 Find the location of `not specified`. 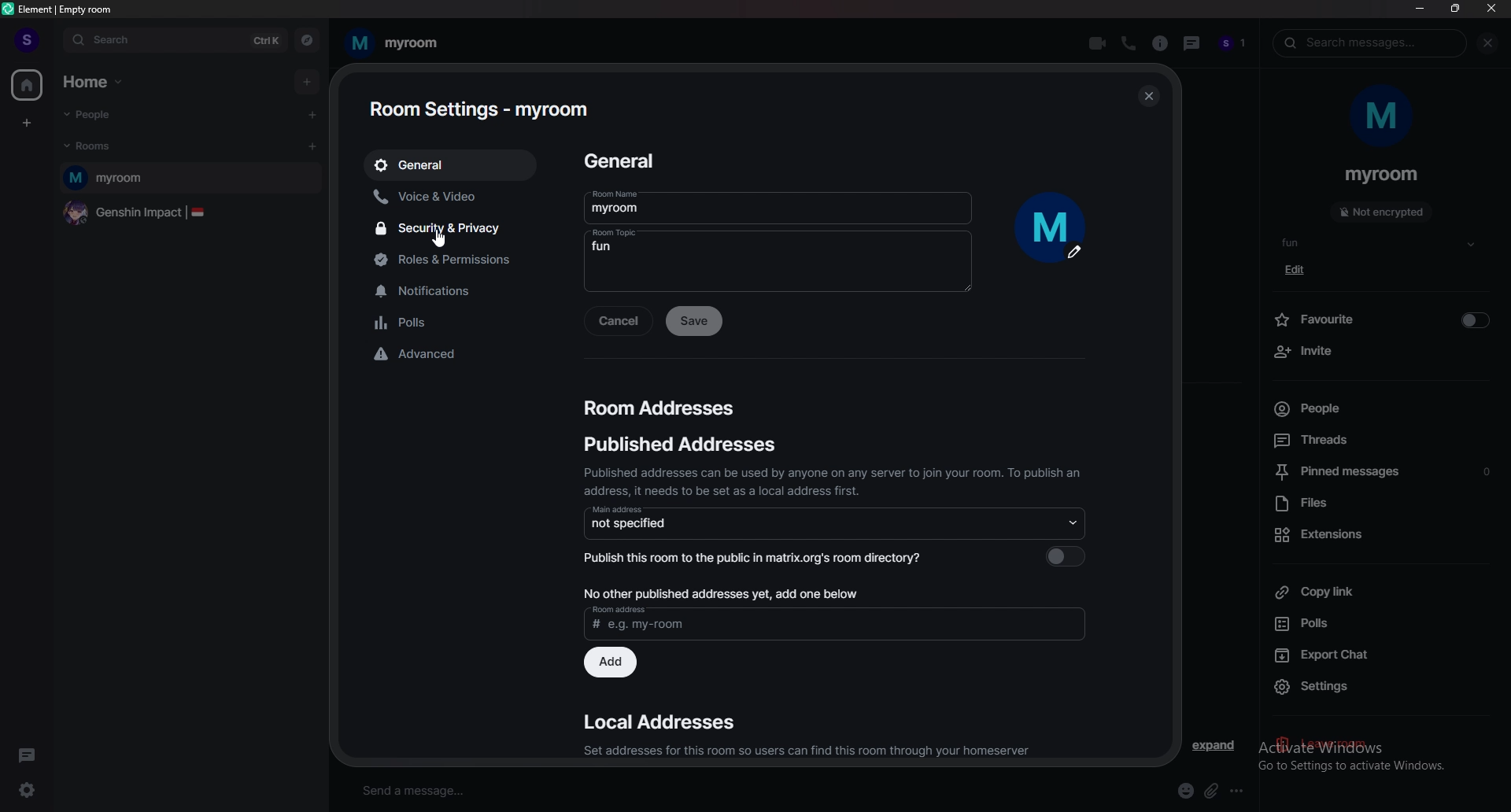

not specified is located at coordinates (833, 522).